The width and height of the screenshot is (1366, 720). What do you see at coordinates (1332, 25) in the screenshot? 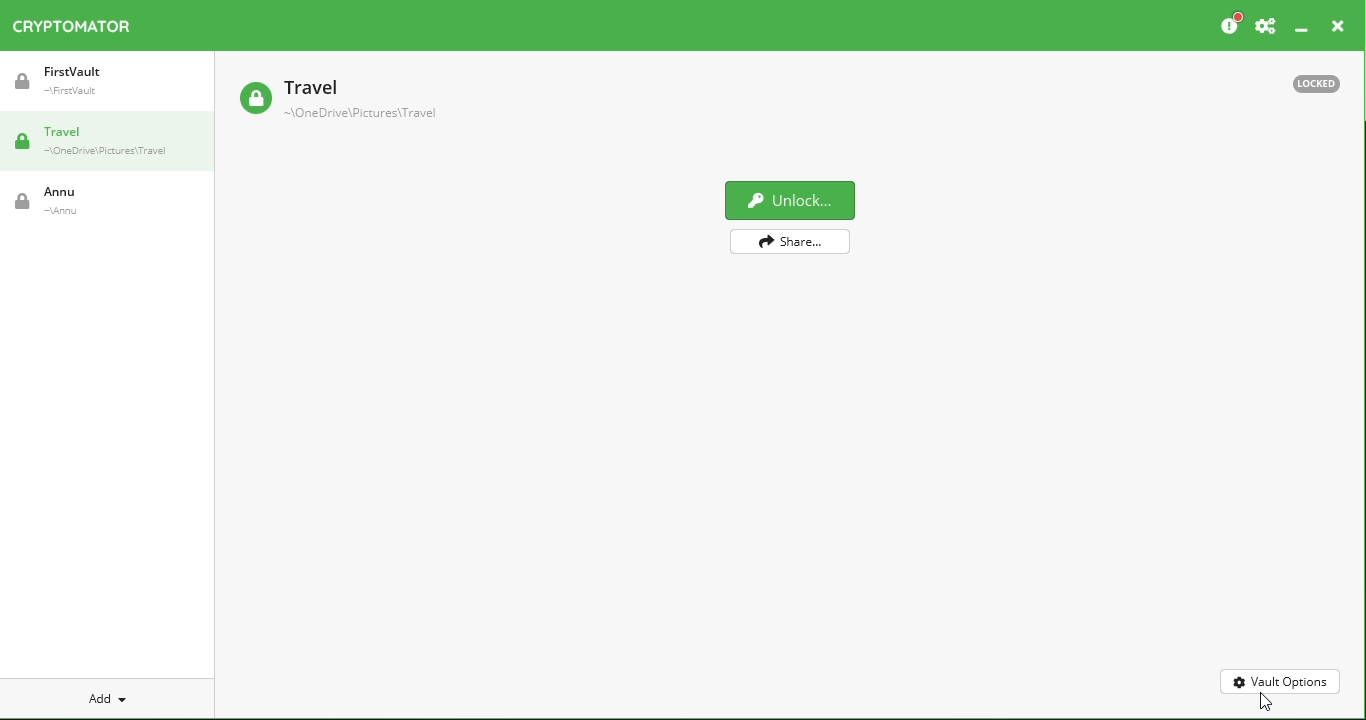
I see `Close` at bounding box center [1332, 25].